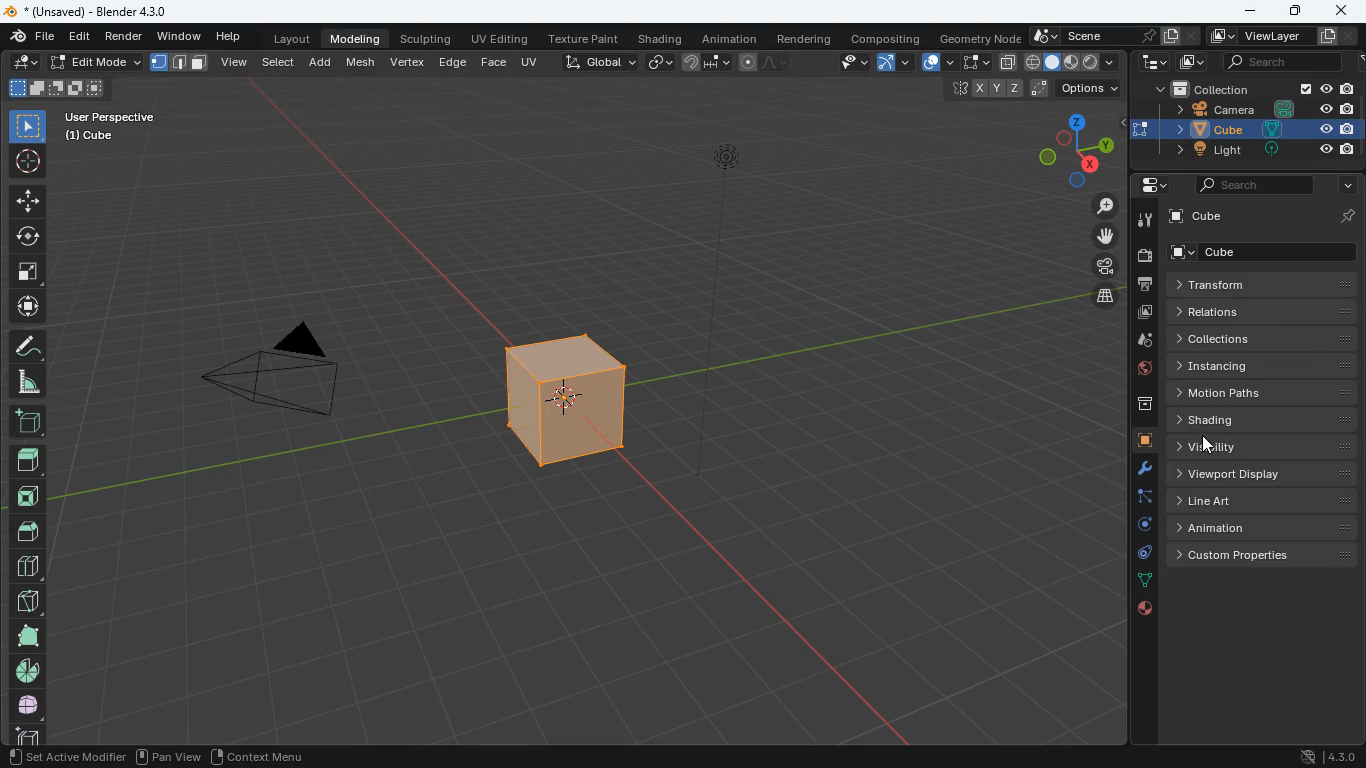  Describe the element at coordinates (278, 65) in the screenshot. I see `select` at that location.